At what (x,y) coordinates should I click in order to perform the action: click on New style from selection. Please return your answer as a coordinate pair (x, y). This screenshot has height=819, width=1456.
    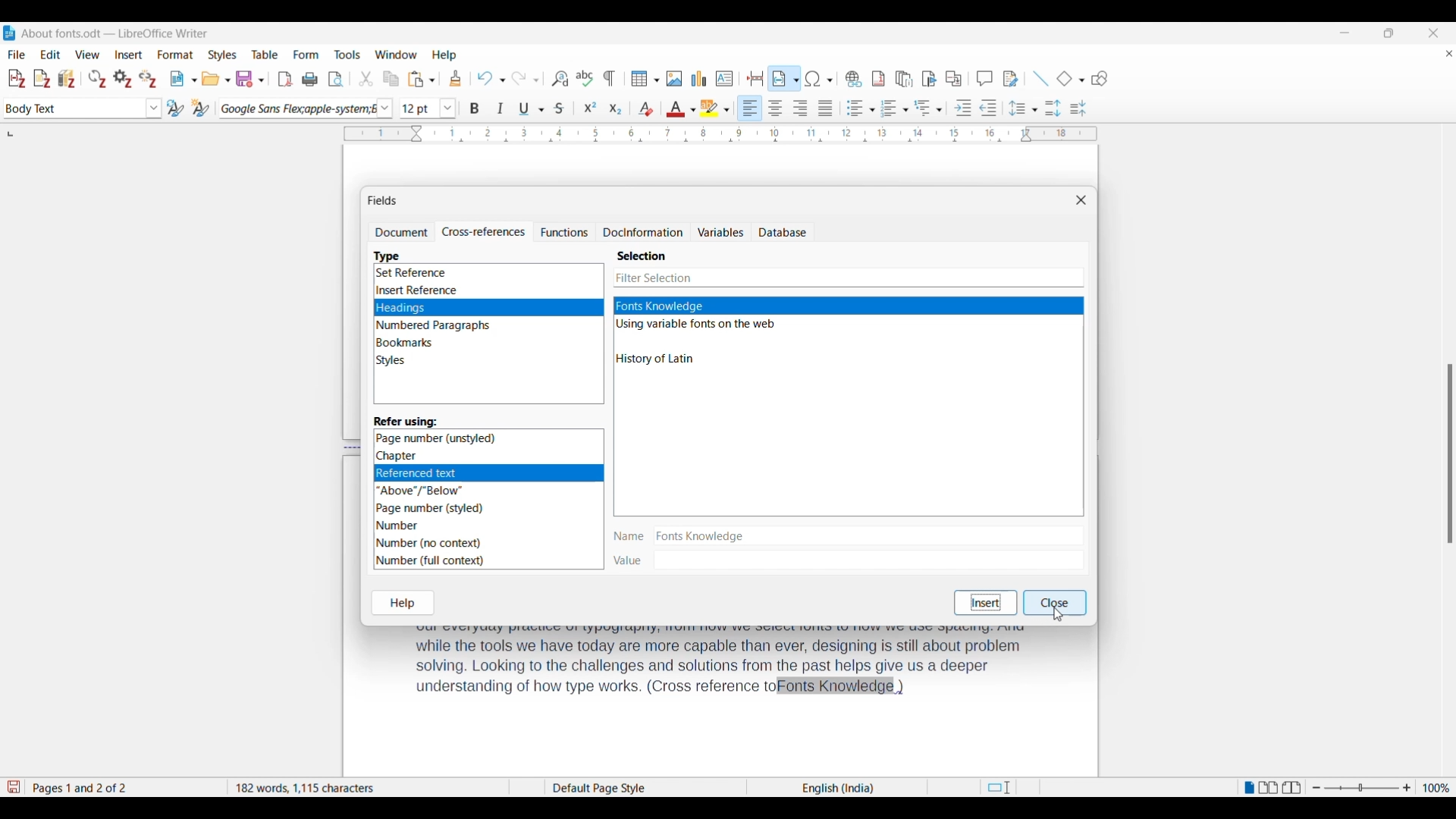
    Looking at the image, I should click on (201, 108).